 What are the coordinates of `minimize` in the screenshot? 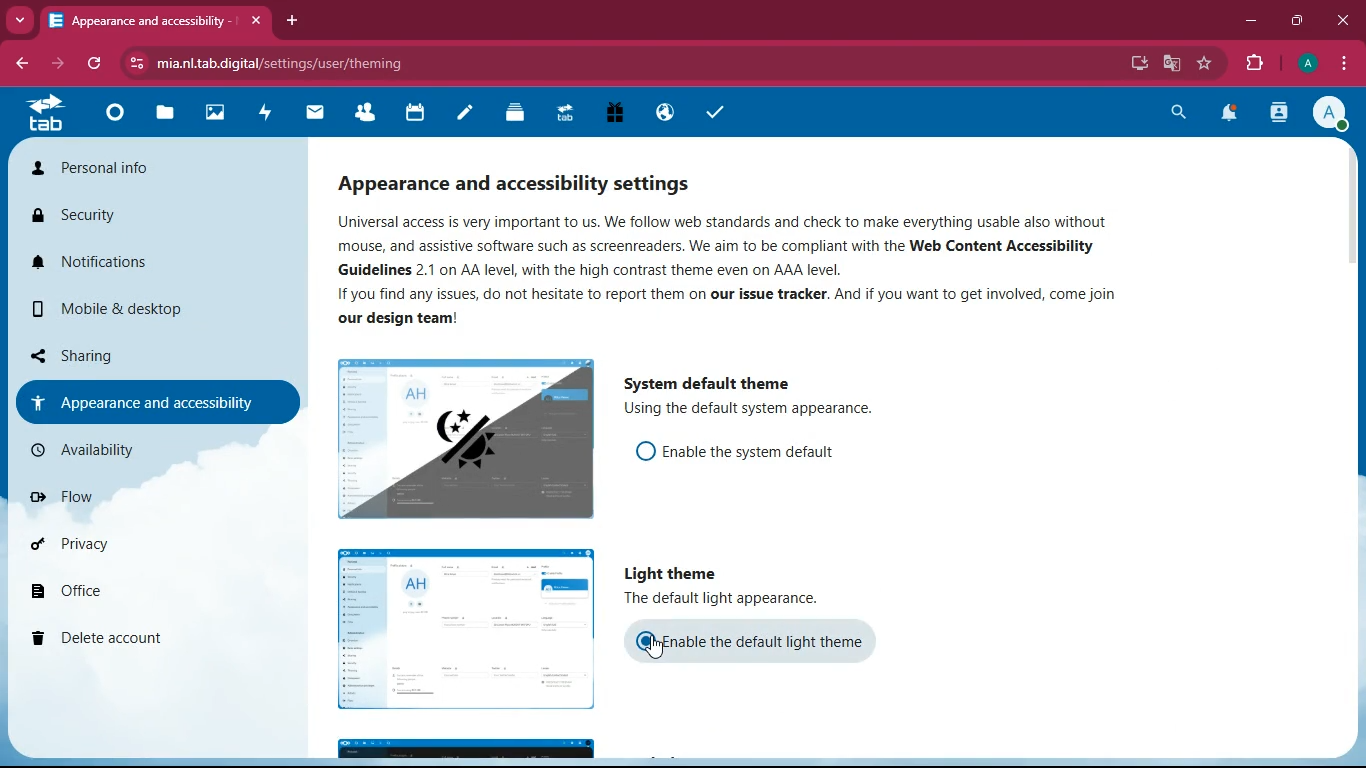 It's located at (1251, 21).